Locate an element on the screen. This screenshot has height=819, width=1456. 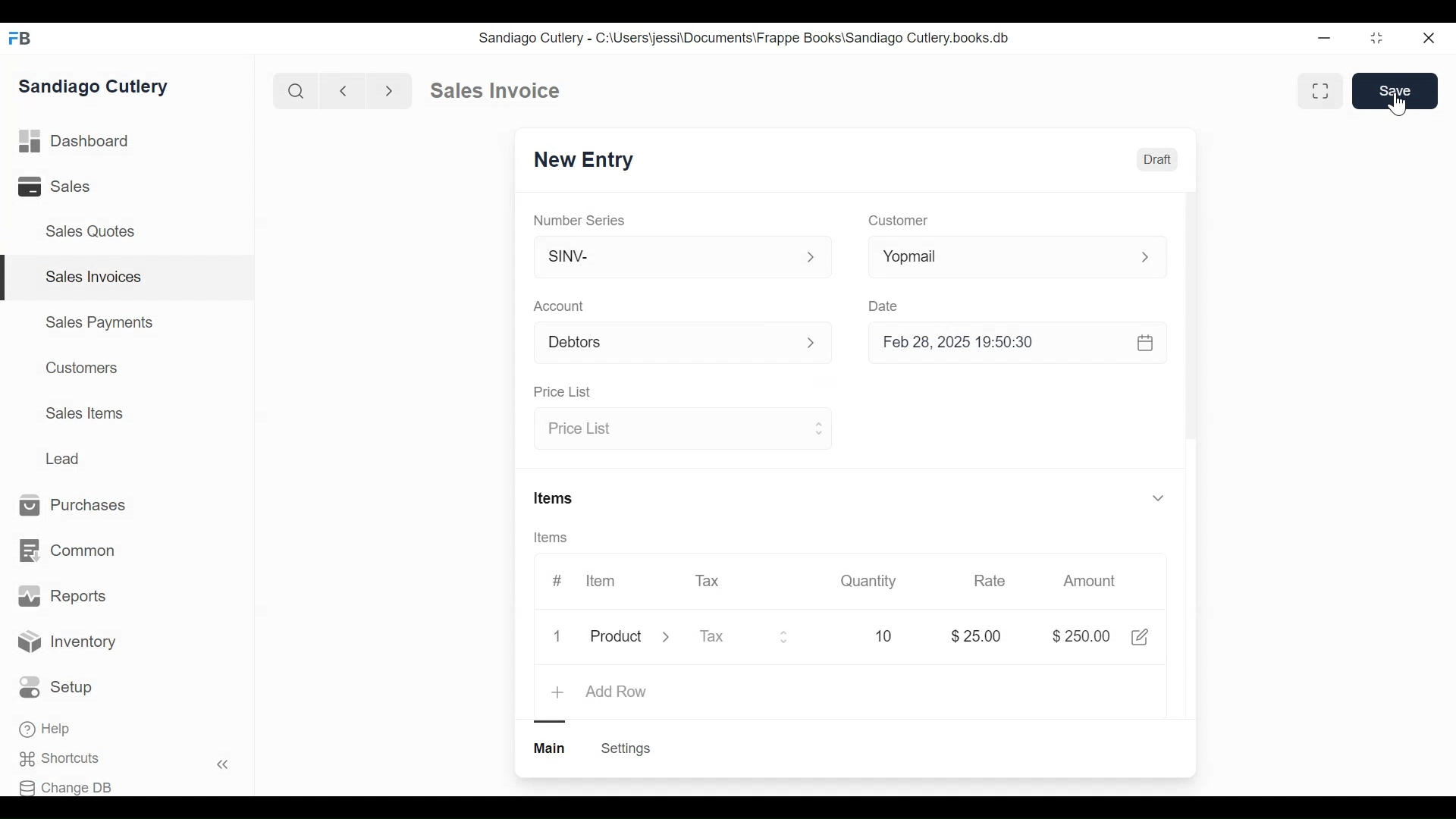
Date is located at coordinates (886, 306).